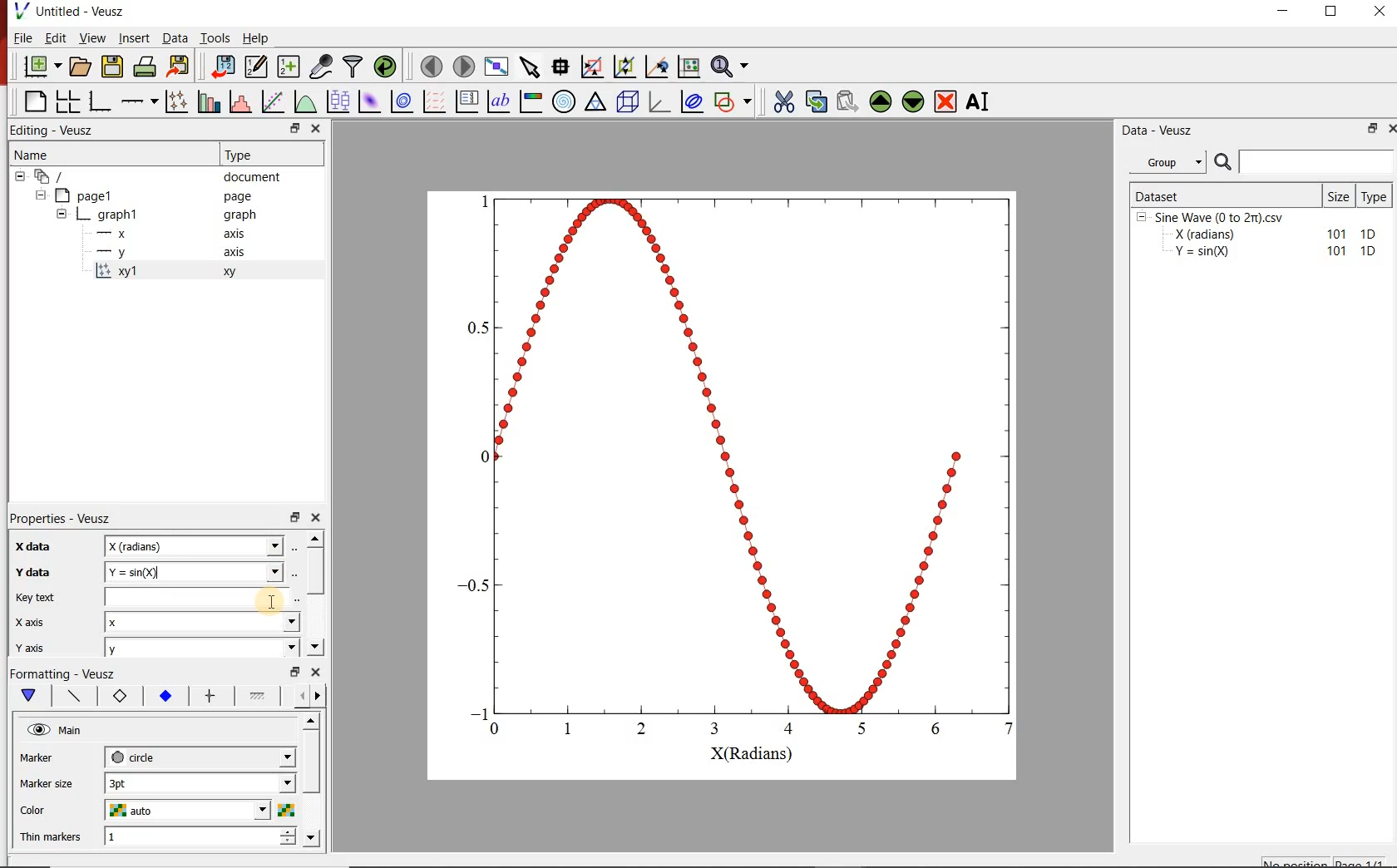 Image resolution: width=1397 pixels, height=868 pixels. What do you see at coordinates (316, 130) in the screenshot?
I see `Close` at bounding box center [316, 130].